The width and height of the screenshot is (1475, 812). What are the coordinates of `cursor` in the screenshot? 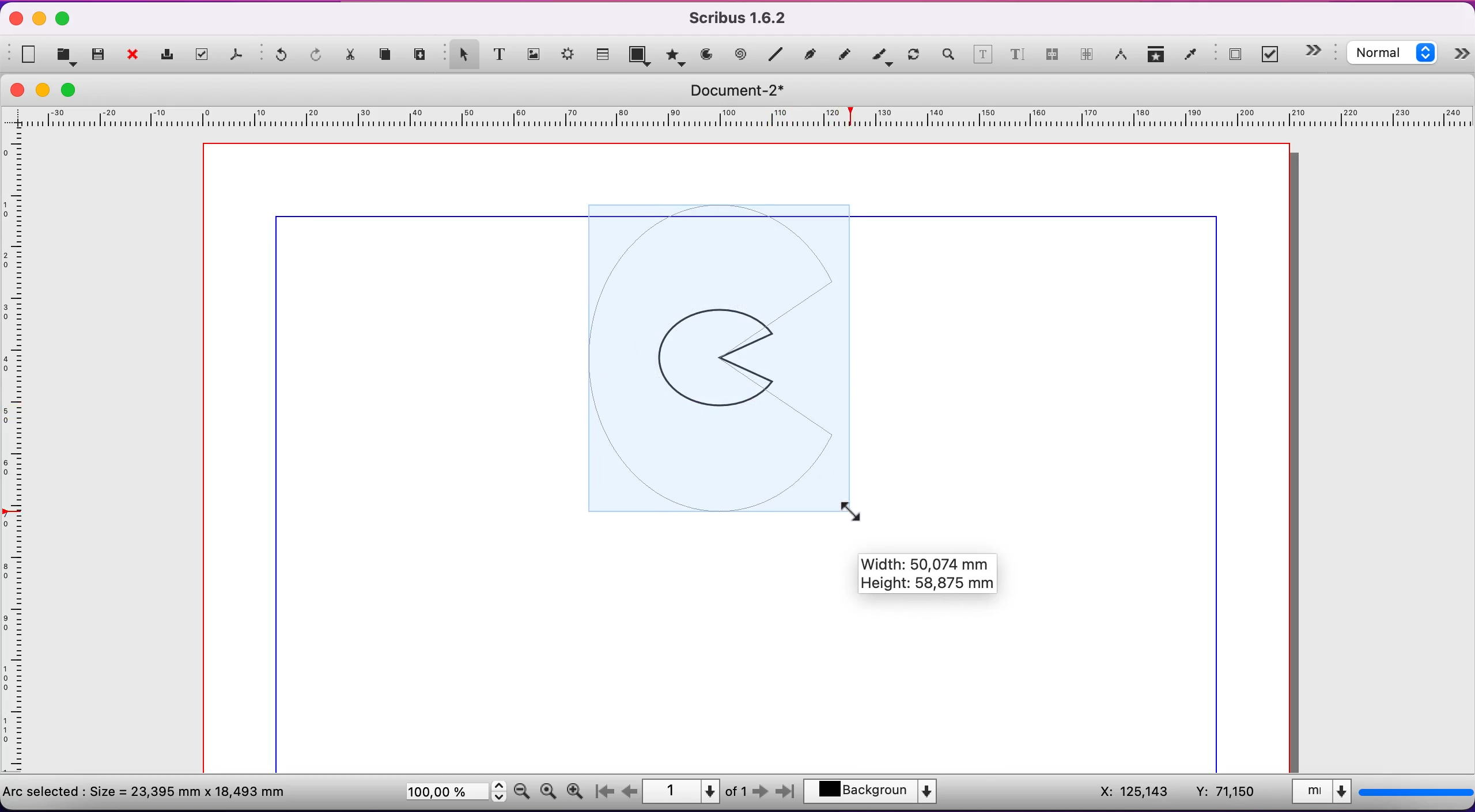 It's located at (854, 508).